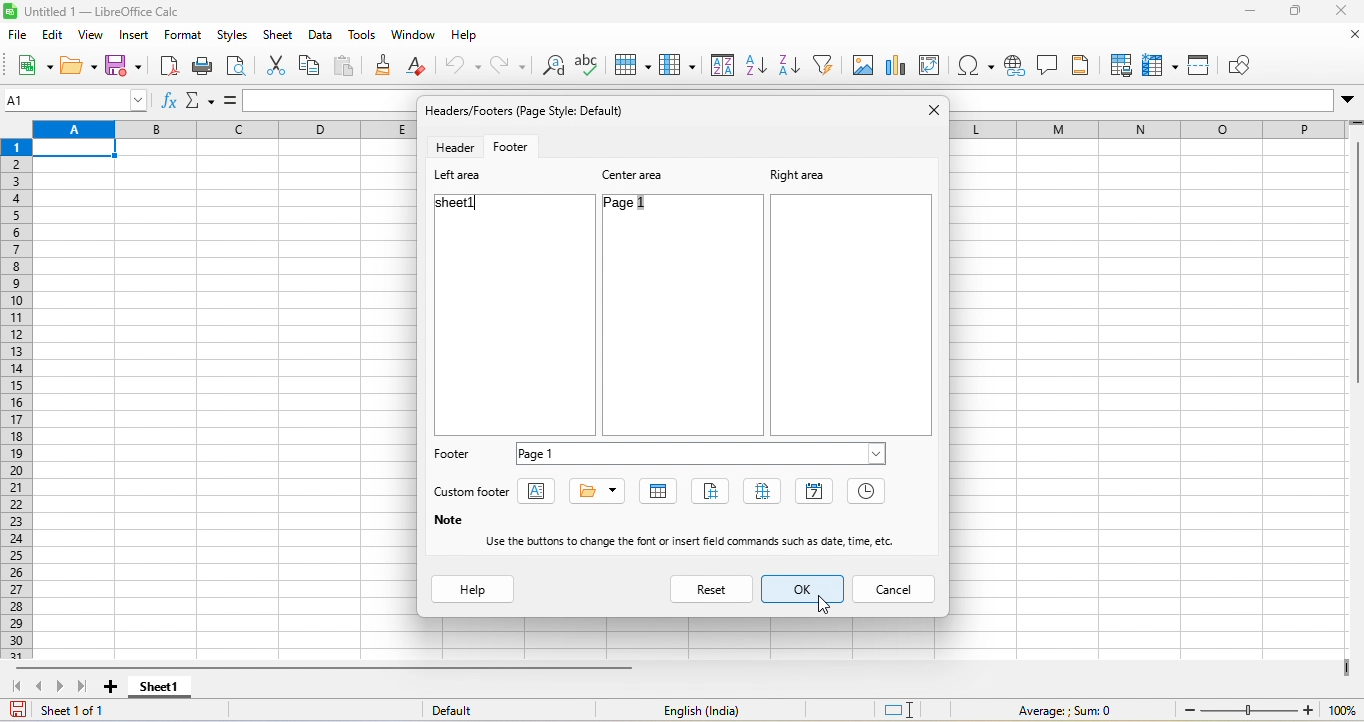  Describe the element at coordinates (165, 70) in the screenshot. I see `export direct as pdf` at that location.